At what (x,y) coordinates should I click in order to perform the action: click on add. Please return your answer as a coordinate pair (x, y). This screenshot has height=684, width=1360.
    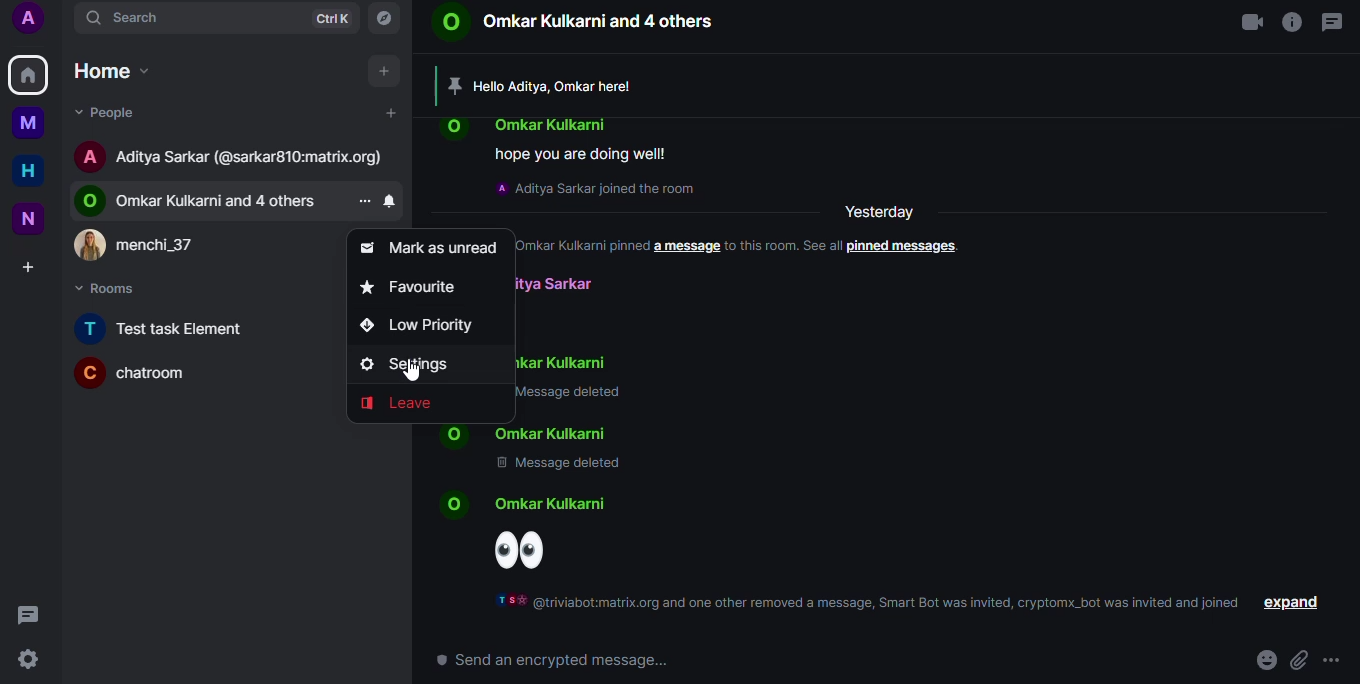
    Looking at the image, I should click on (388, 72).